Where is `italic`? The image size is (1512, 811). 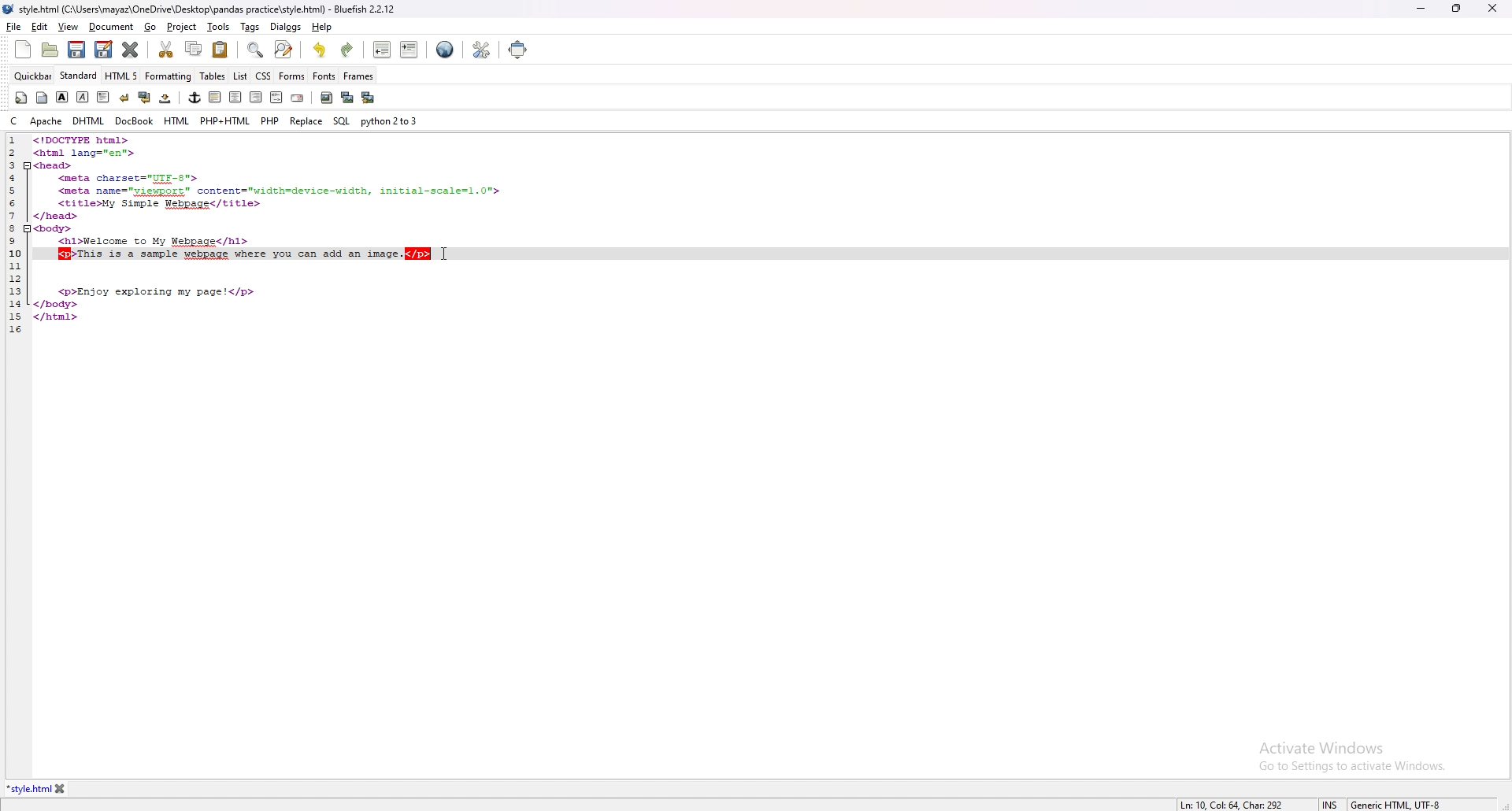
italic is located at coordinates (81, 98).